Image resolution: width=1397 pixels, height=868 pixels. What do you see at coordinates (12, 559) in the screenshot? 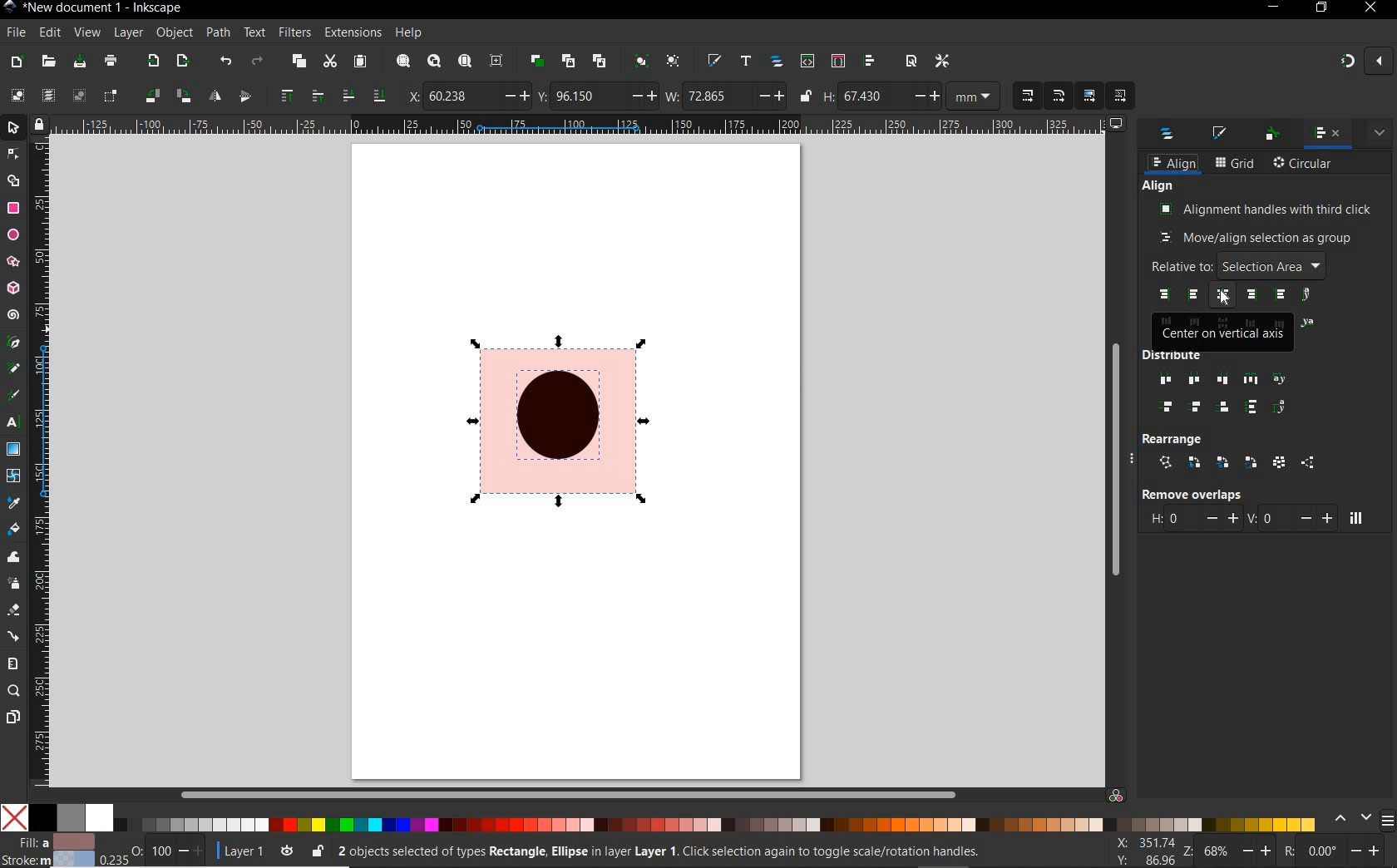
I see `tweak tool` at bounding box center [12, 559].